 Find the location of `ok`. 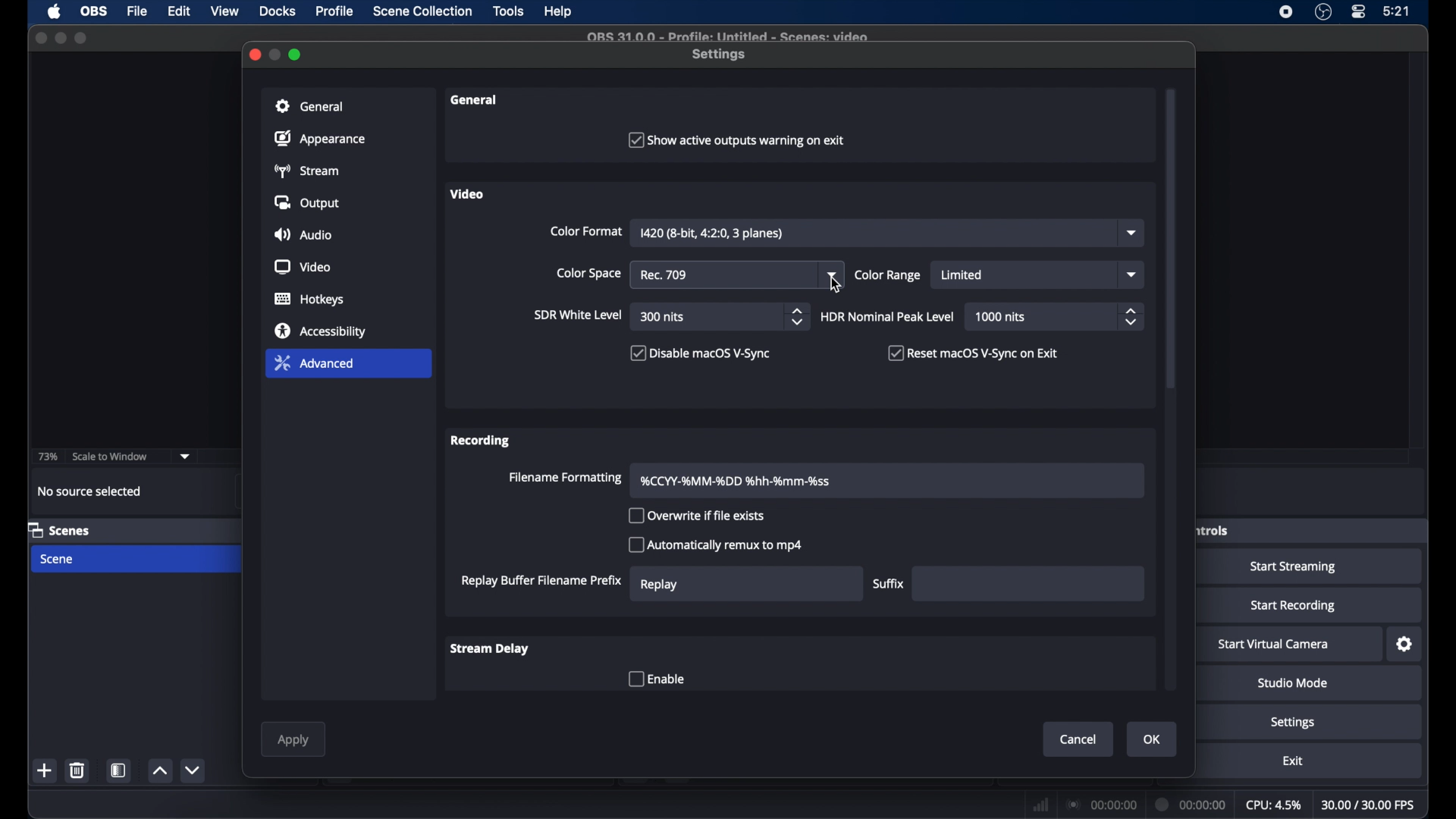

ok is located at coordinates (1153, 739).